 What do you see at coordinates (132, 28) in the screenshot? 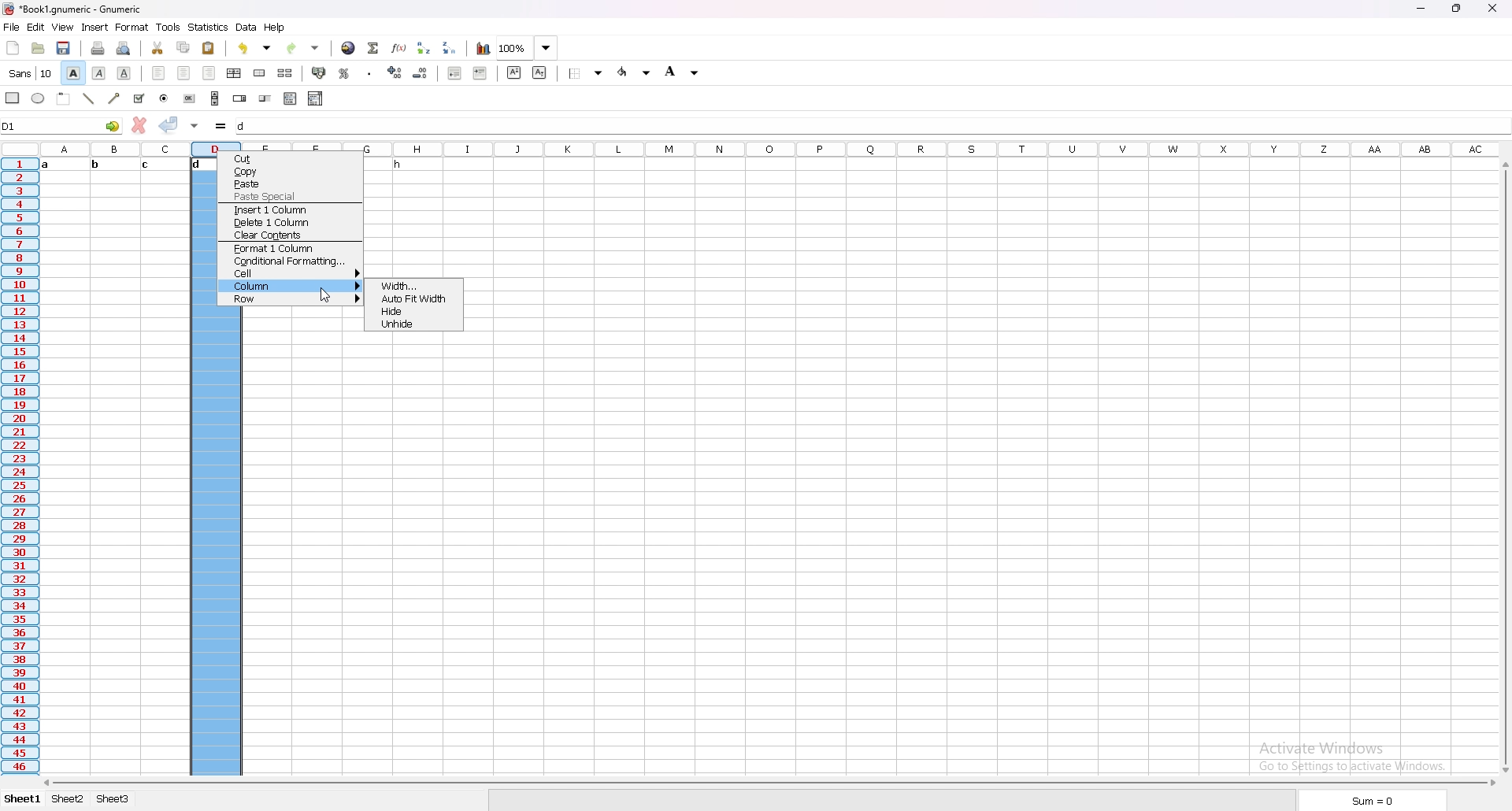
I see `format` at bounding box center [132, 28].